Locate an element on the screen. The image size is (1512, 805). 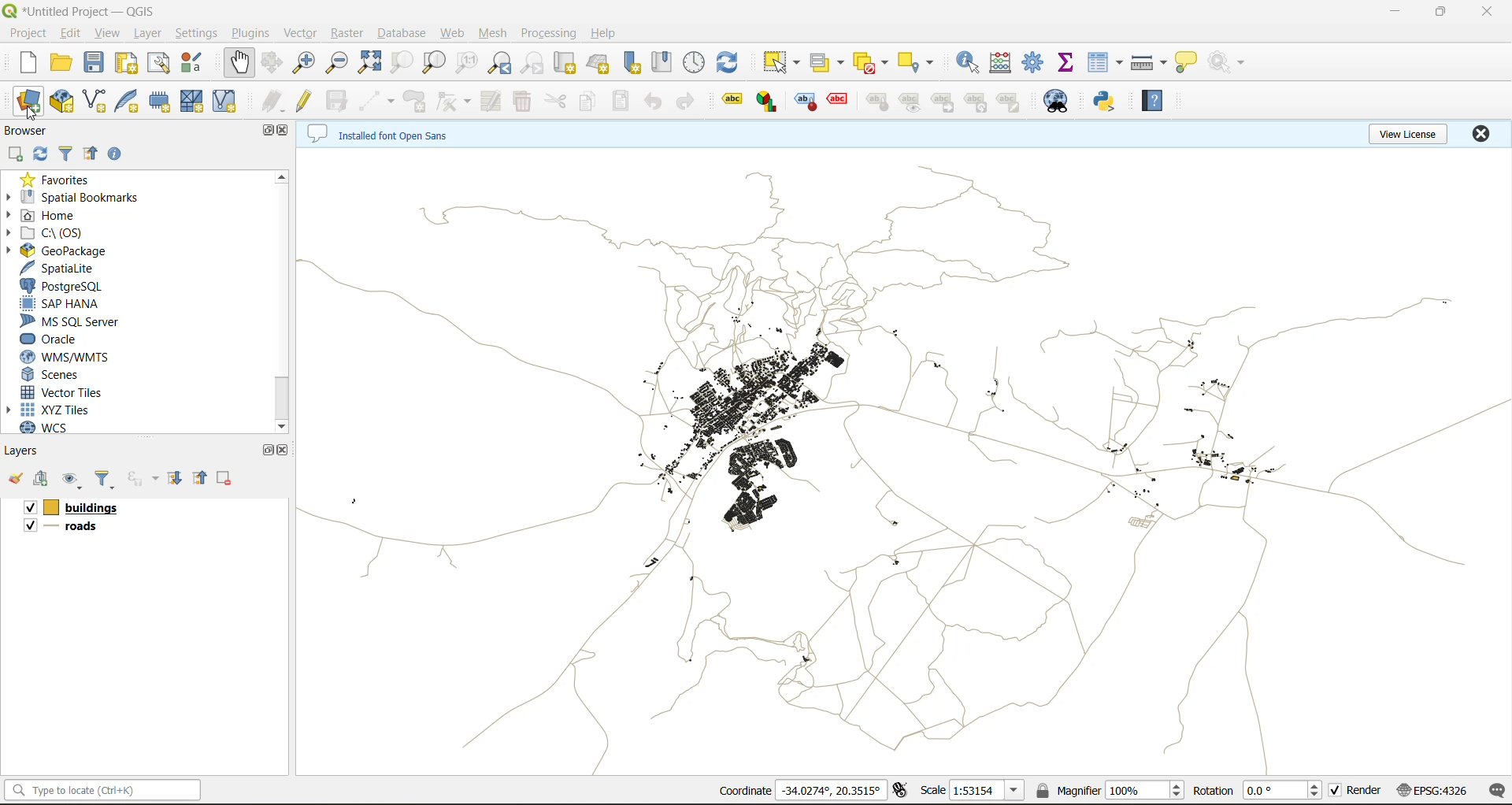
save edits is located at coordinates (339, 102).